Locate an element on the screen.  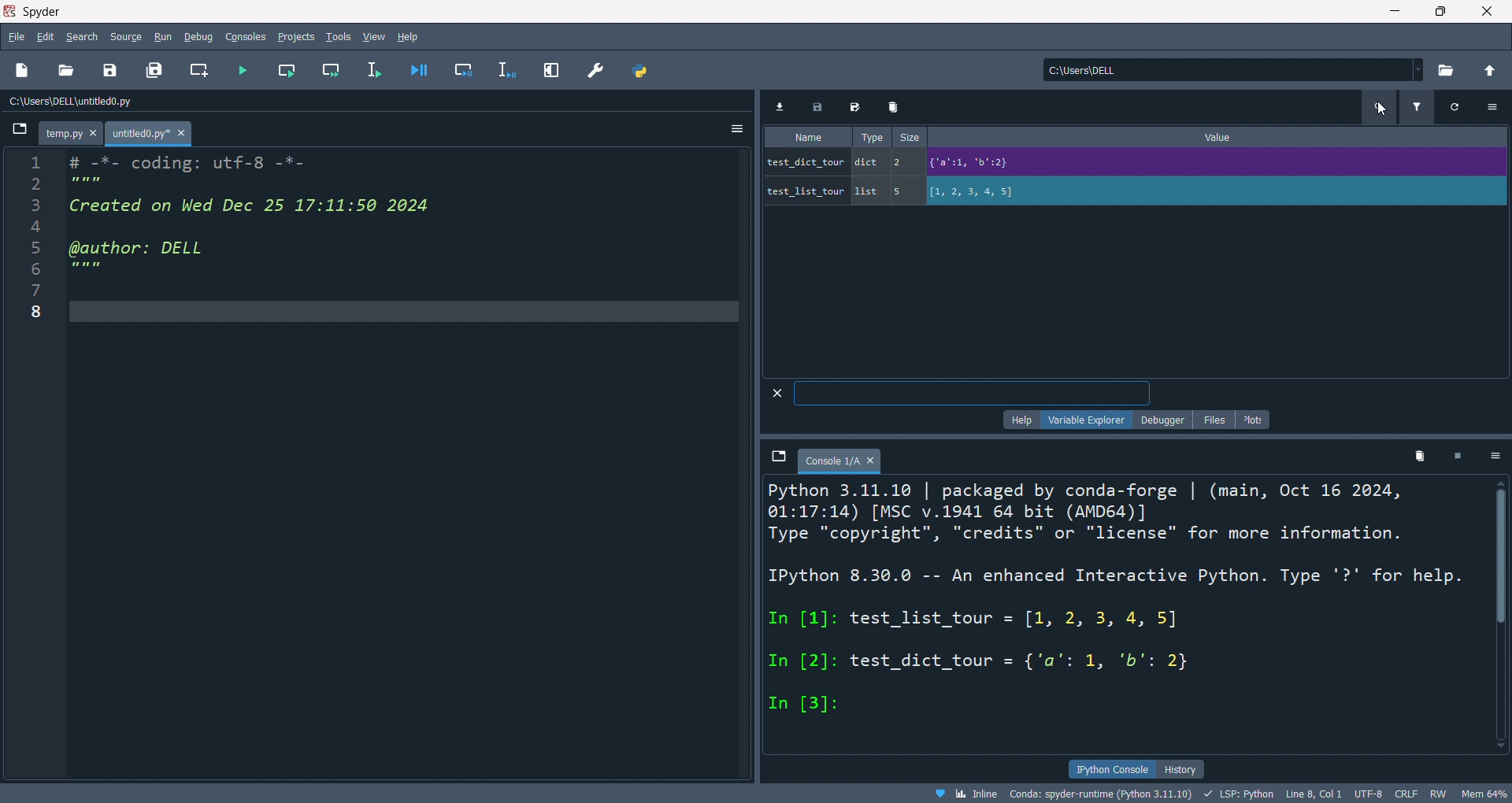
filter is located at coordinates (1411, 109).